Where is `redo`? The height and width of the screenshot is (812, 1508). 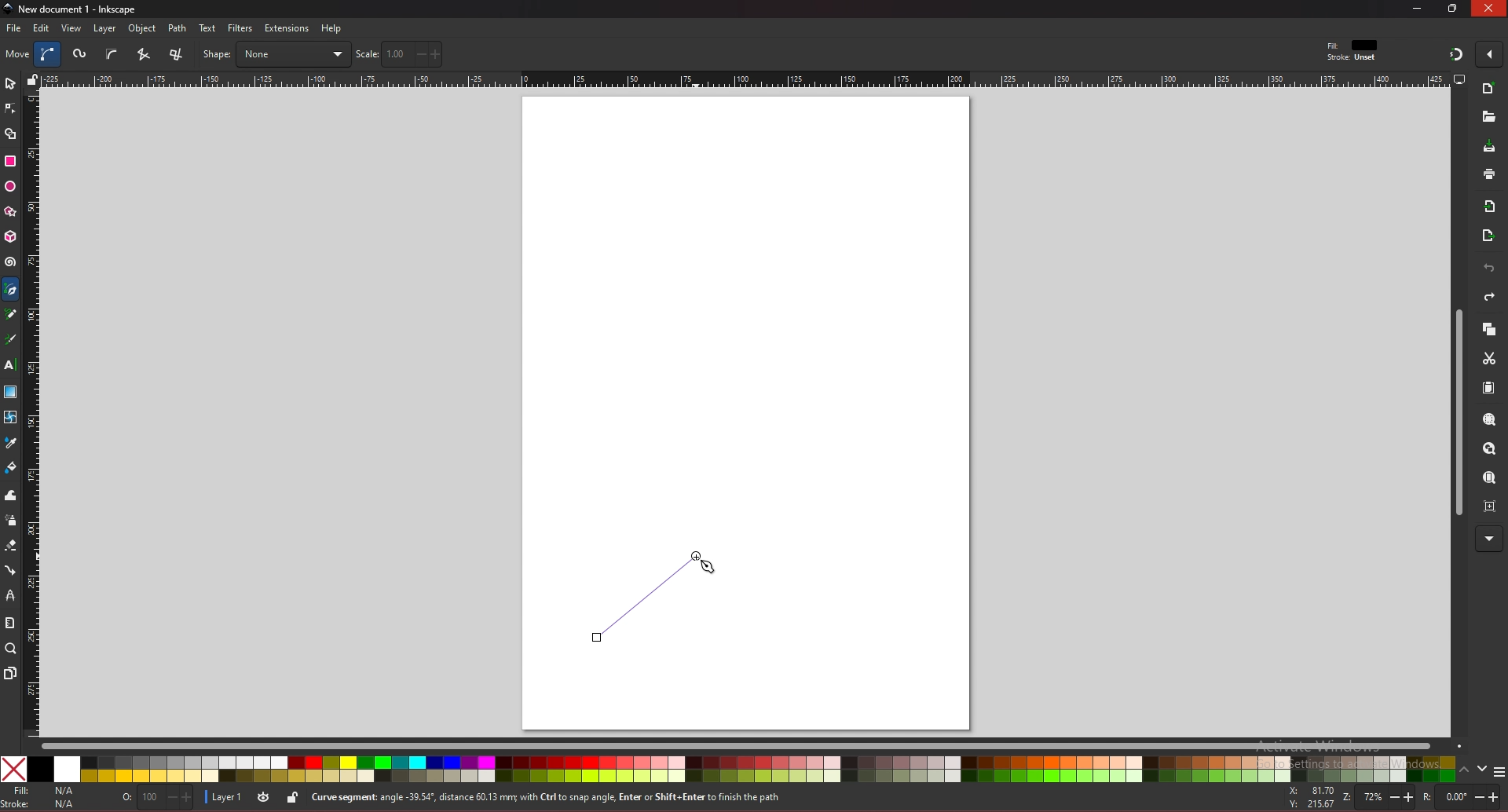
redo is located at coordinates (1489, 297).